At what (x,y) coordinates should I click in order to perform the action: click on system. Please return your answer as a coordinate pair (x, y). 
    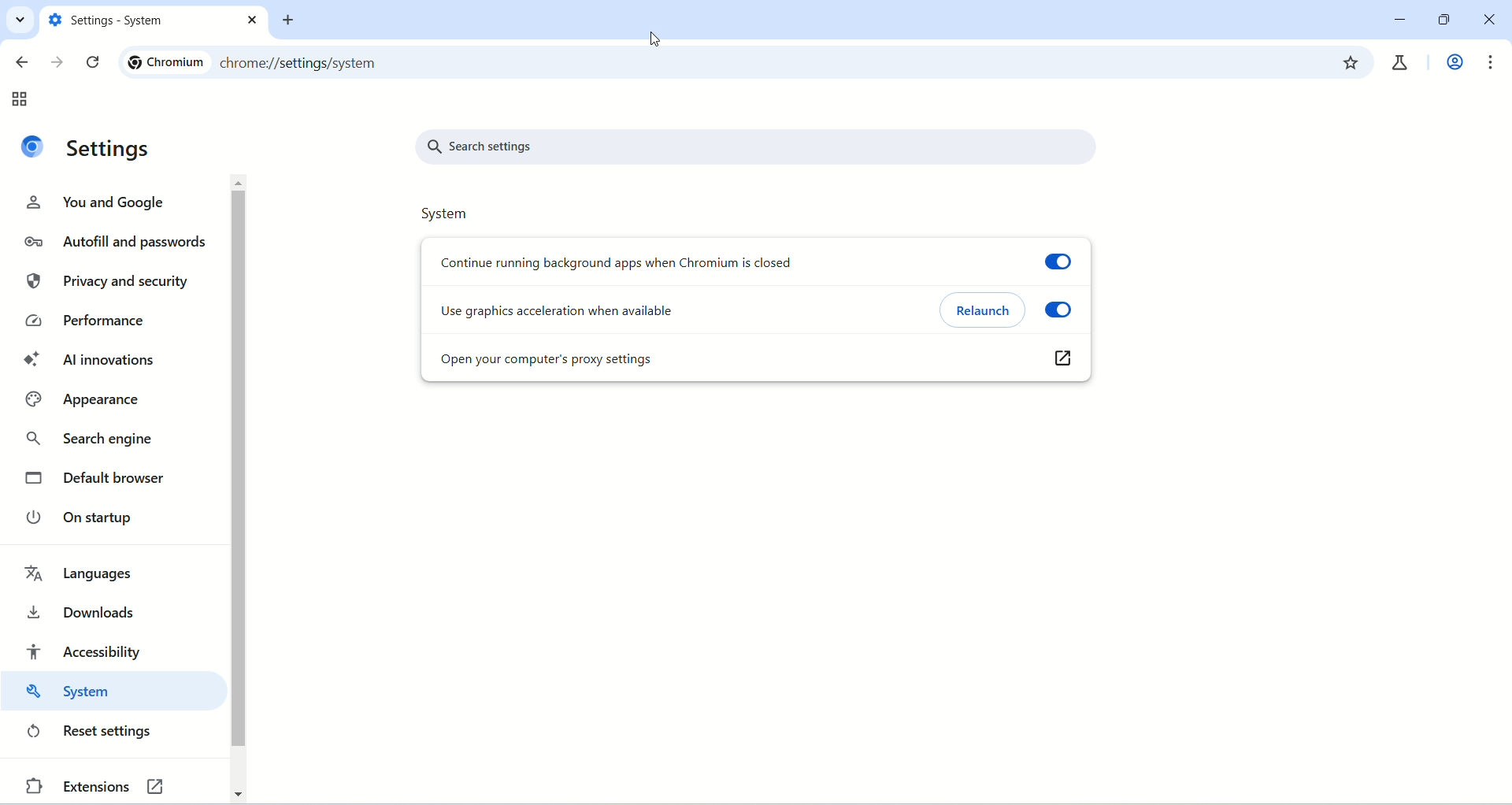
    Looking at the image, I should click on (106, 695).